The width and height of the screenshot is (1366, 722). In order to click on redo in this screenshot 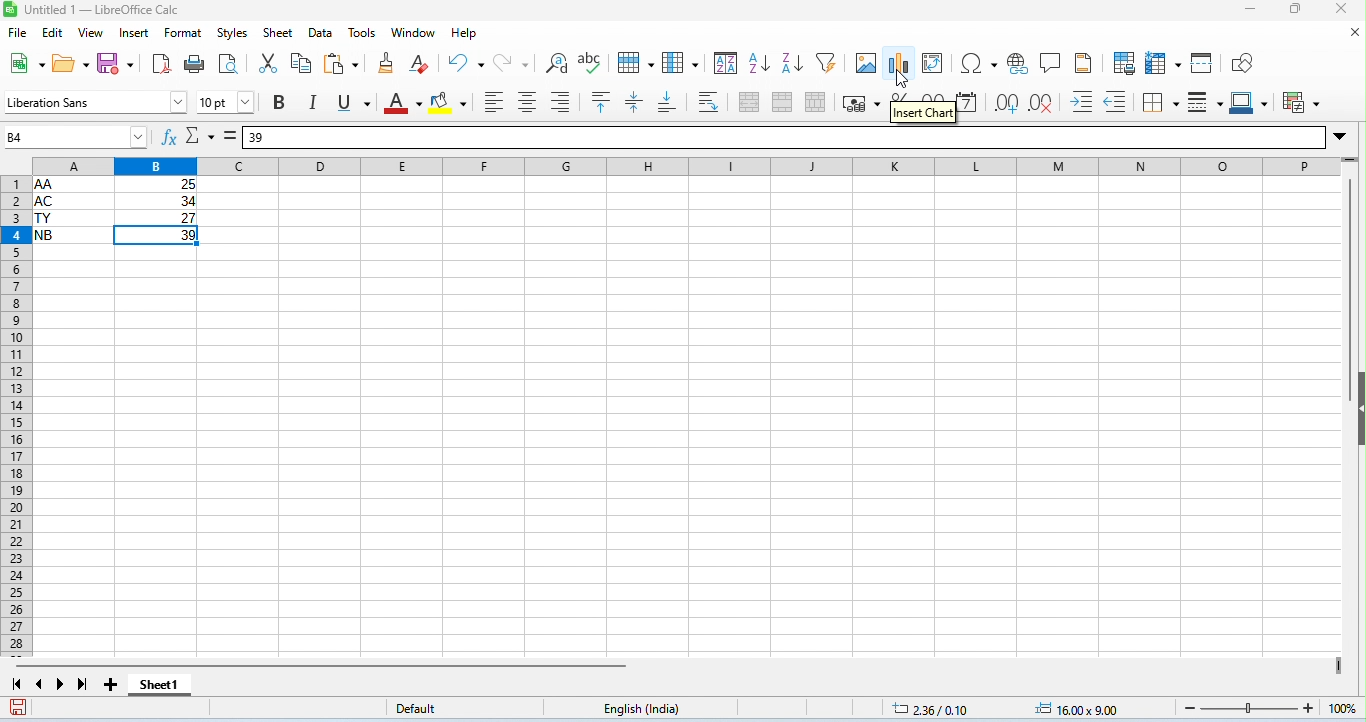, I will do `click(510, 64)`.